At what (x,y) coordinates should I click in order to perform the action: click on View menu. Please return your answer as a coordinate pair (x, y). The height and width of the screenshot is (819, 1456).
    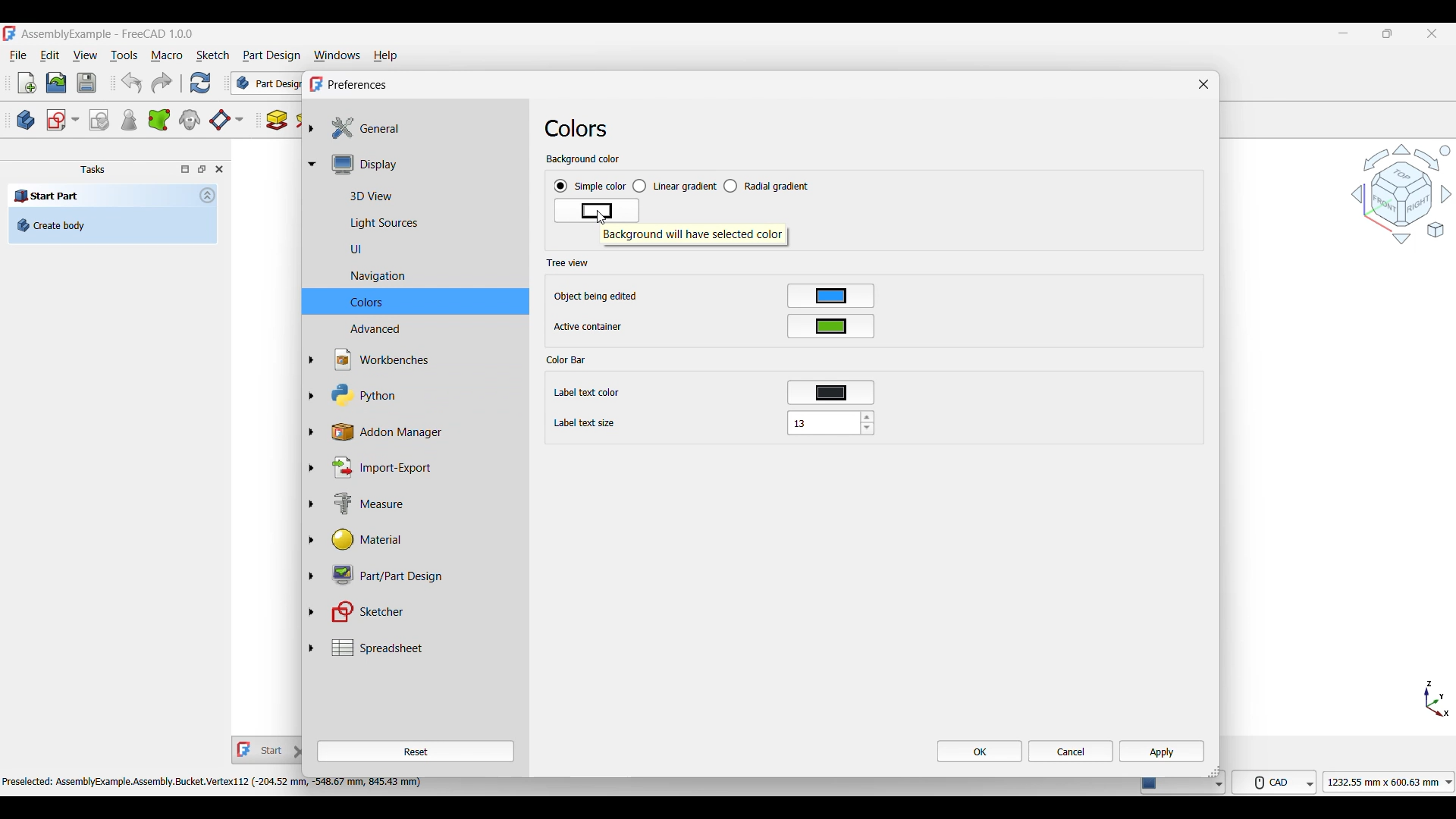
    Looking at the image, I should click on (85, 55).